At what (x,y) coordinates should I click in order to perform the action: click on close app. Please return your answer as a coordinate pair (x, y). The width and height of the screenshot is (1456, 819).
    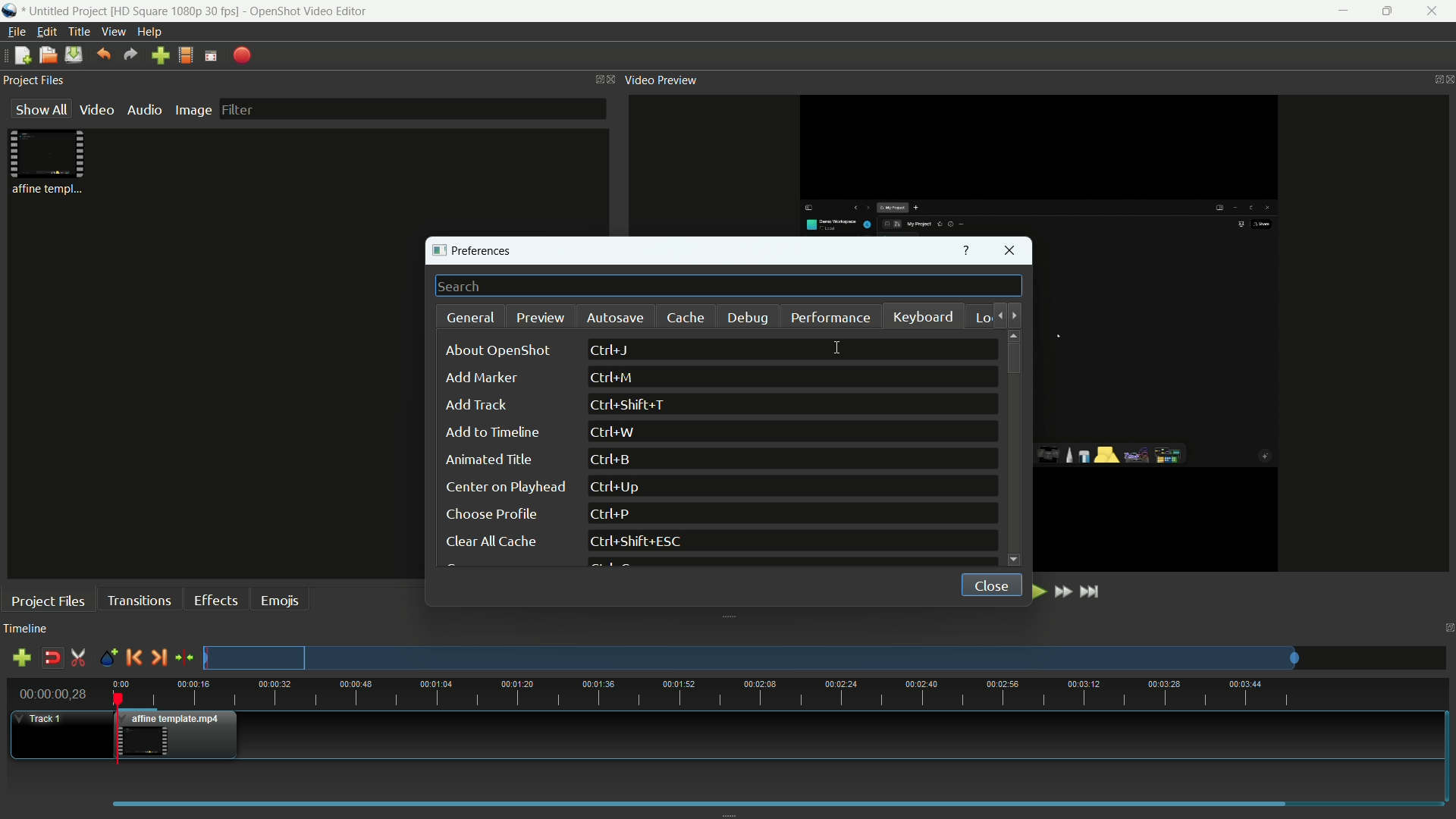
    Looking at the image, I should click on (1435, 11).